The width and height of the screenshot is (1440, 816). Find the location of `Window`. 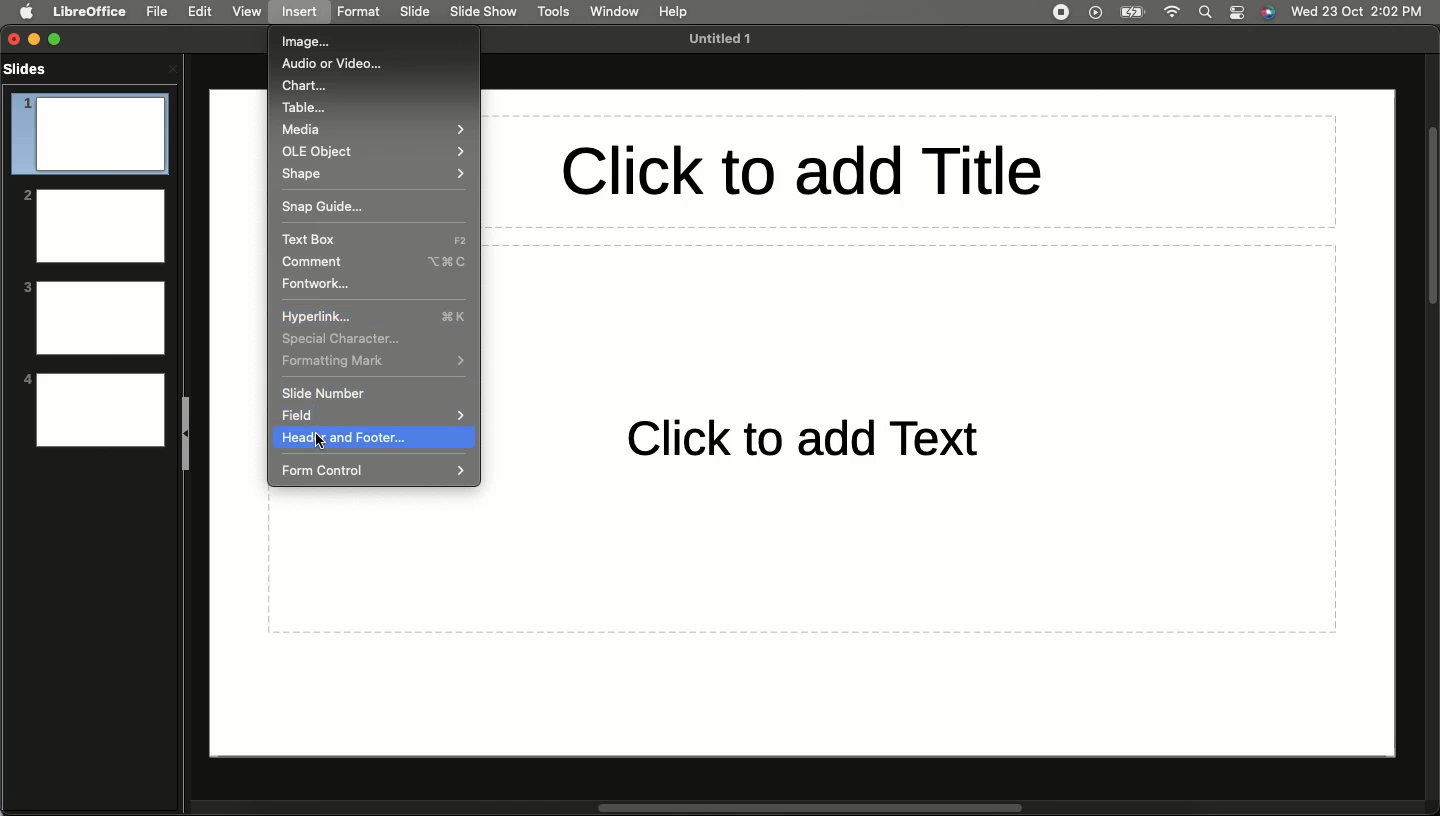

Window is located at coordinates (611, 11).